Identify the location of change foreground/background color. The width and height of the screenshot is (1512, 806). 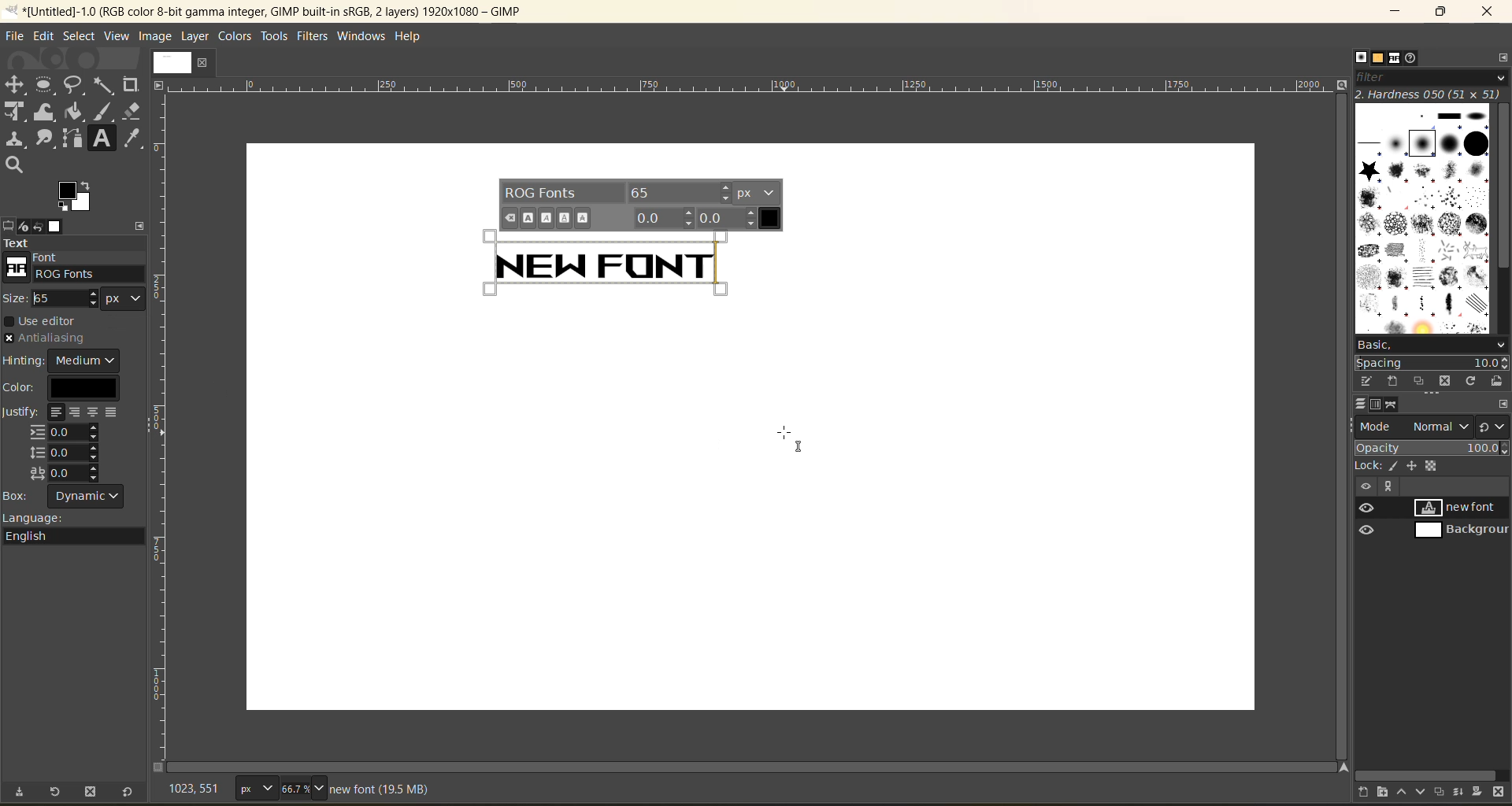
(76, 198).